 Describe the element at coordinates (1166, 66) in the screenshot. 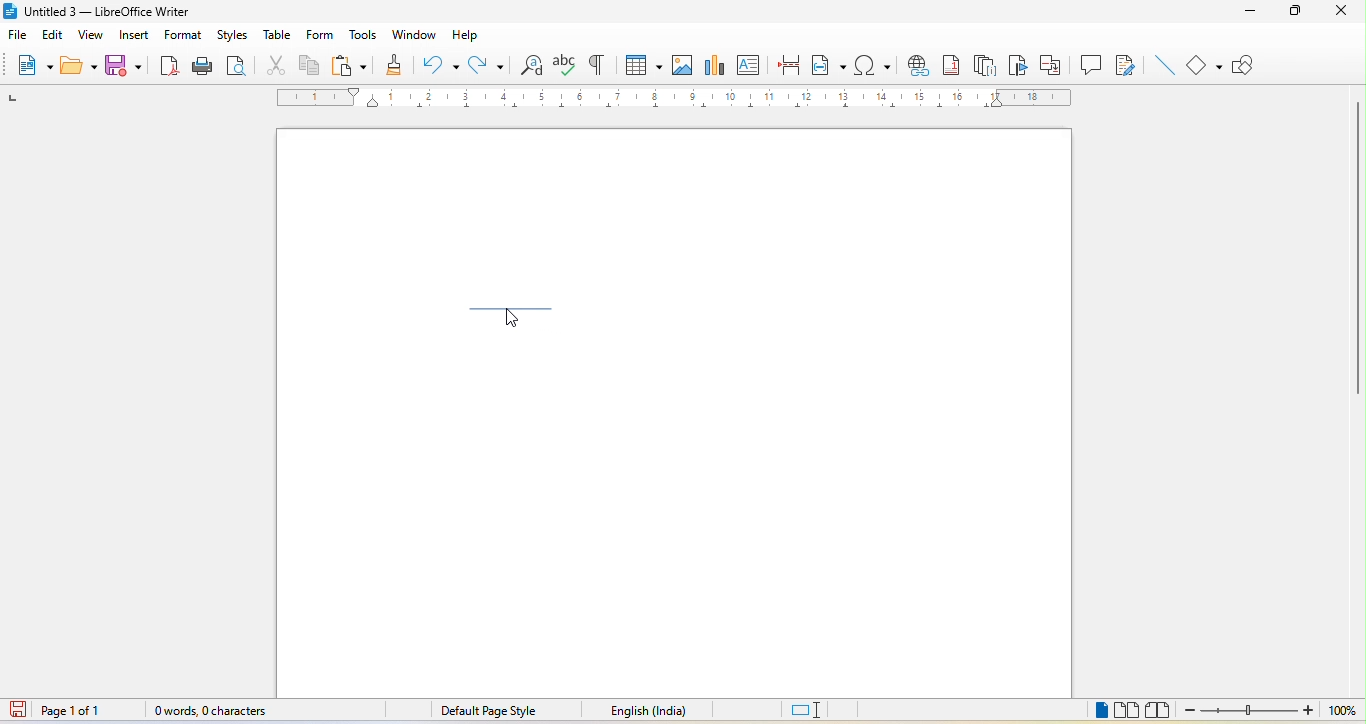

I see `insert line` at that location.